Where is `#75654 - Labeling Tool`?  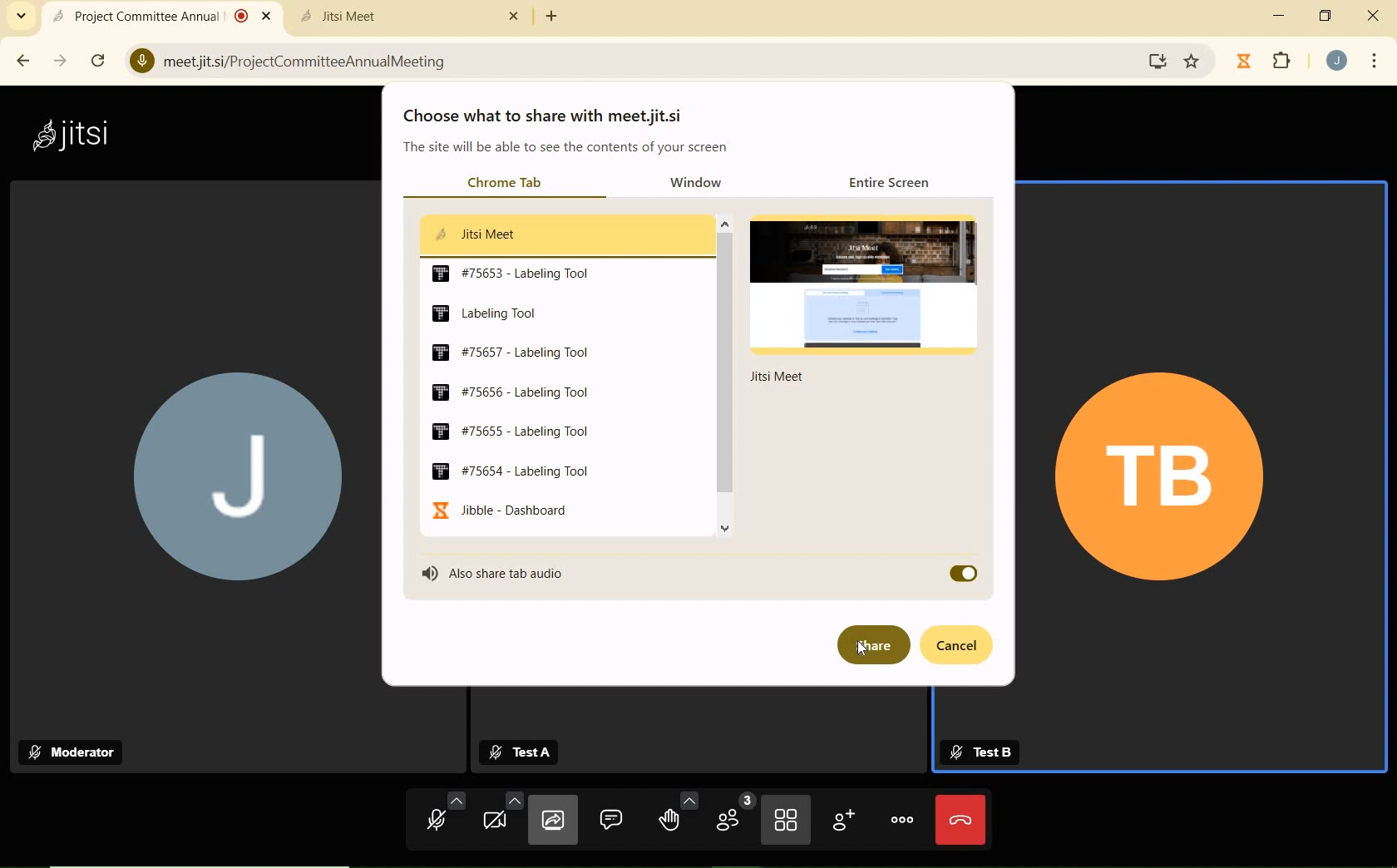
#75654 - Labeling Tool is located at coordinates (519, 470).